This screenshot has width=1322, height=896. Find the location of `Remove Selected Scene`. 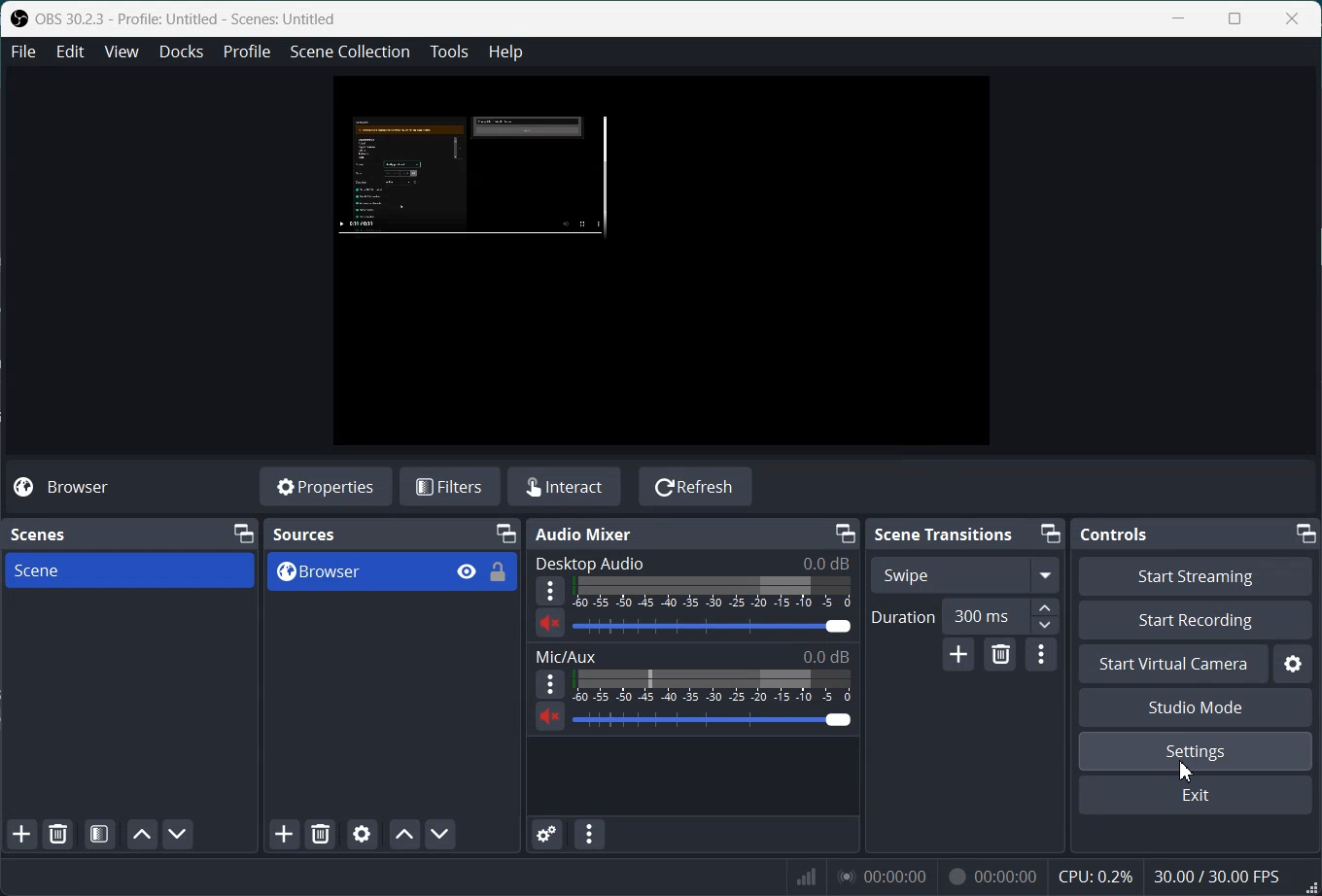

Remove Selected Scene is located at coordinates (58, 834).